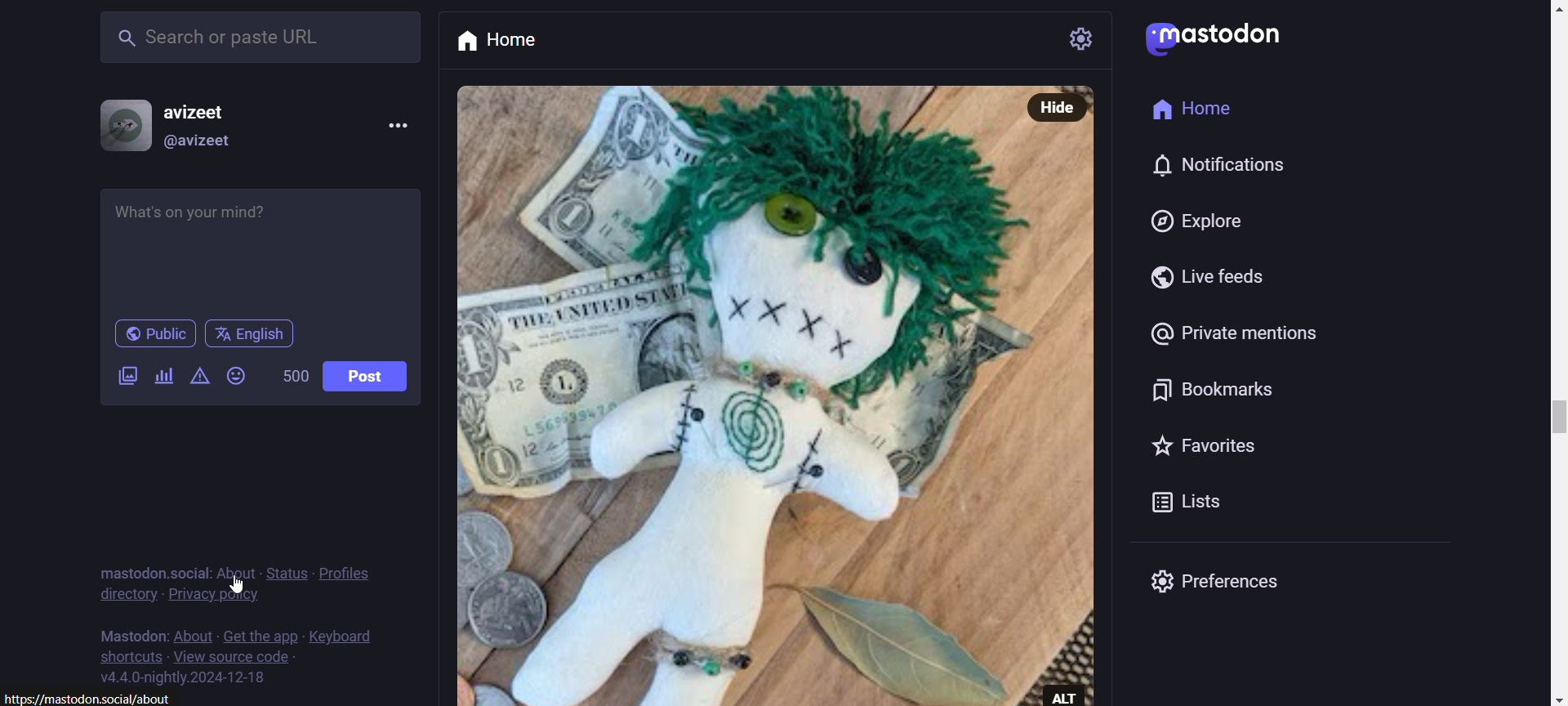  Describe the element at coordinates (1083, 39) in the screenshot. I see `setting` at that location.